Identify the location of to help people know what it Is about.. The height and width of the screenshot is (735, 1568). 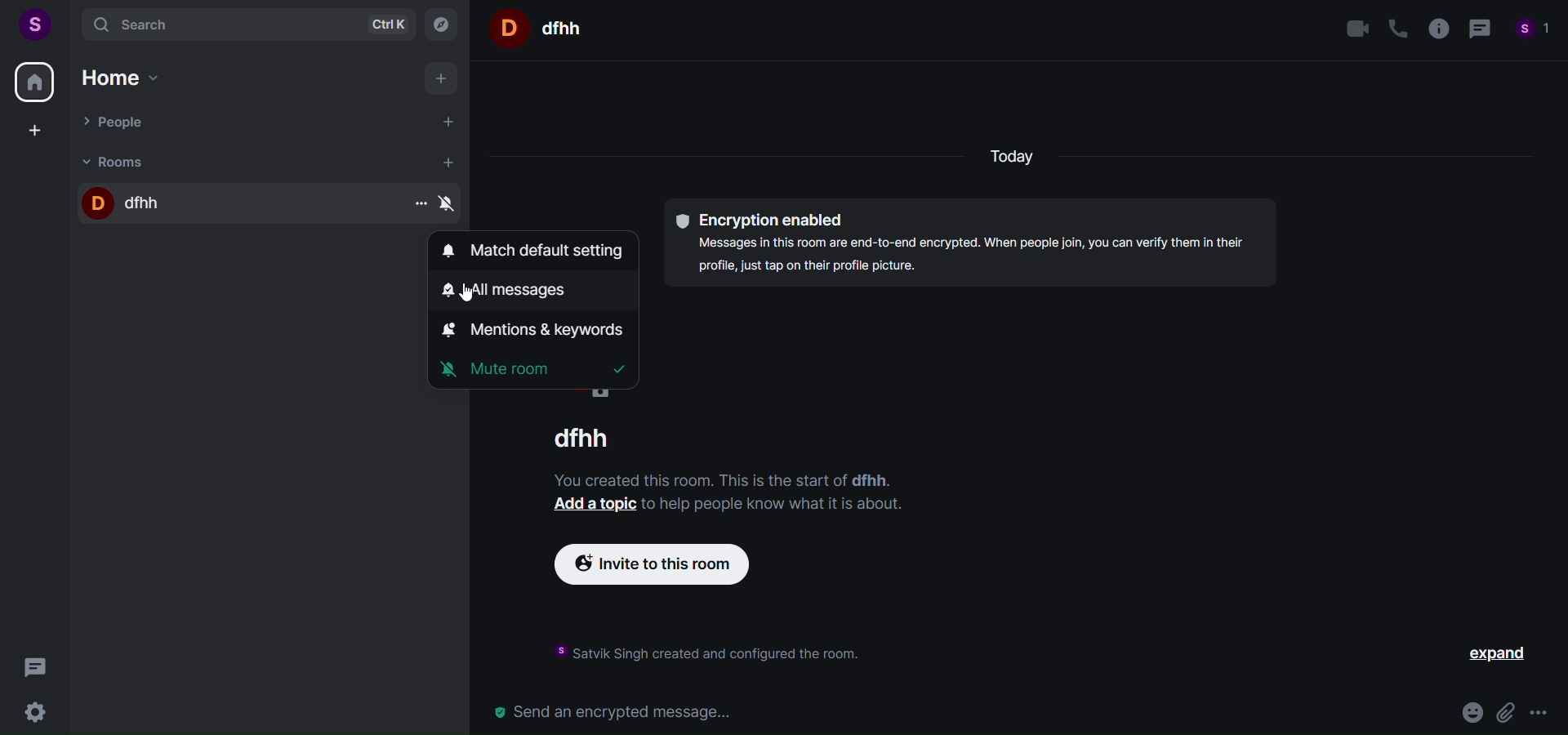
(776, 504).